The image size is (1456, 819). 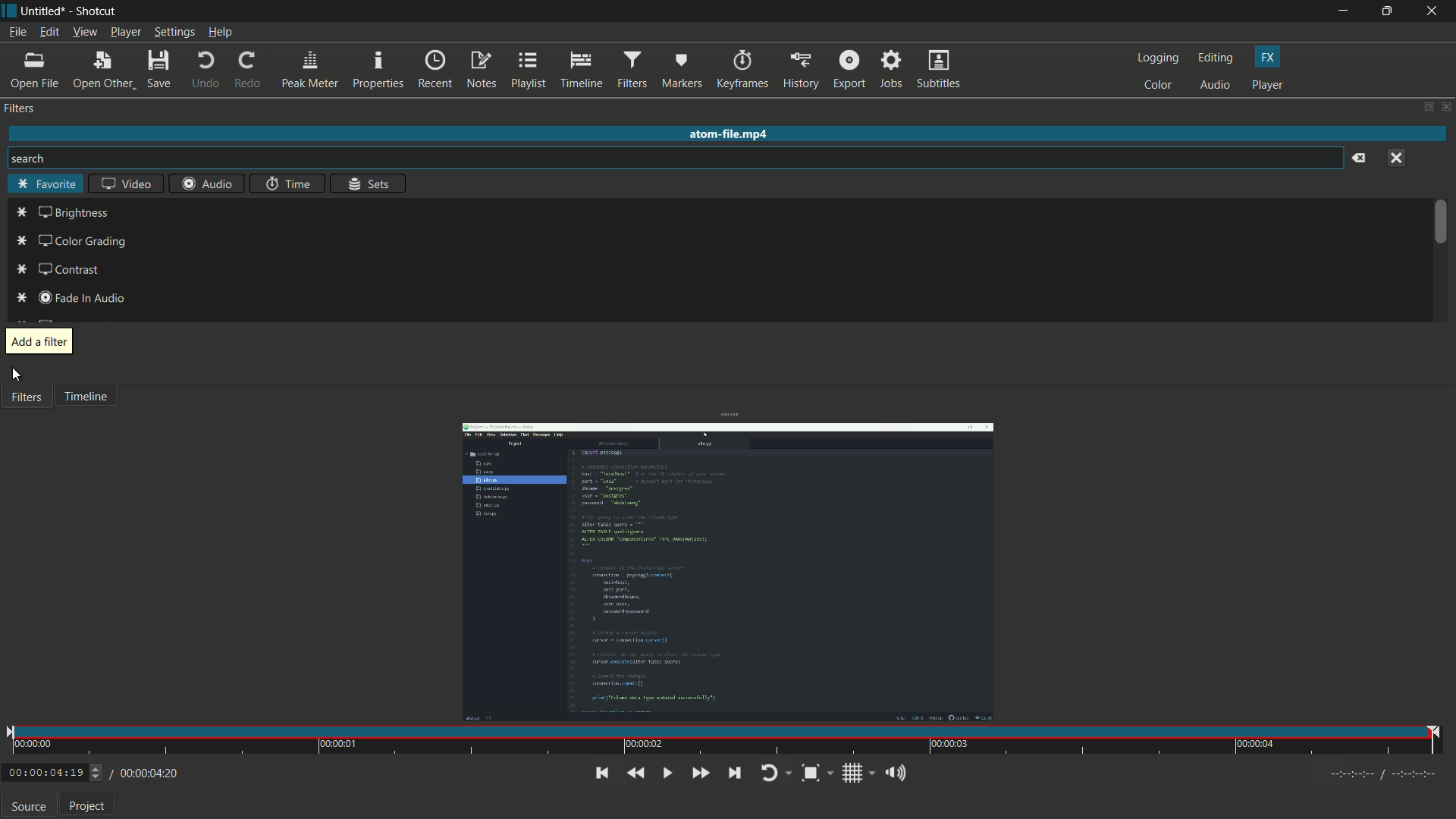 I want to click on filters, so click(x=630, y=71).